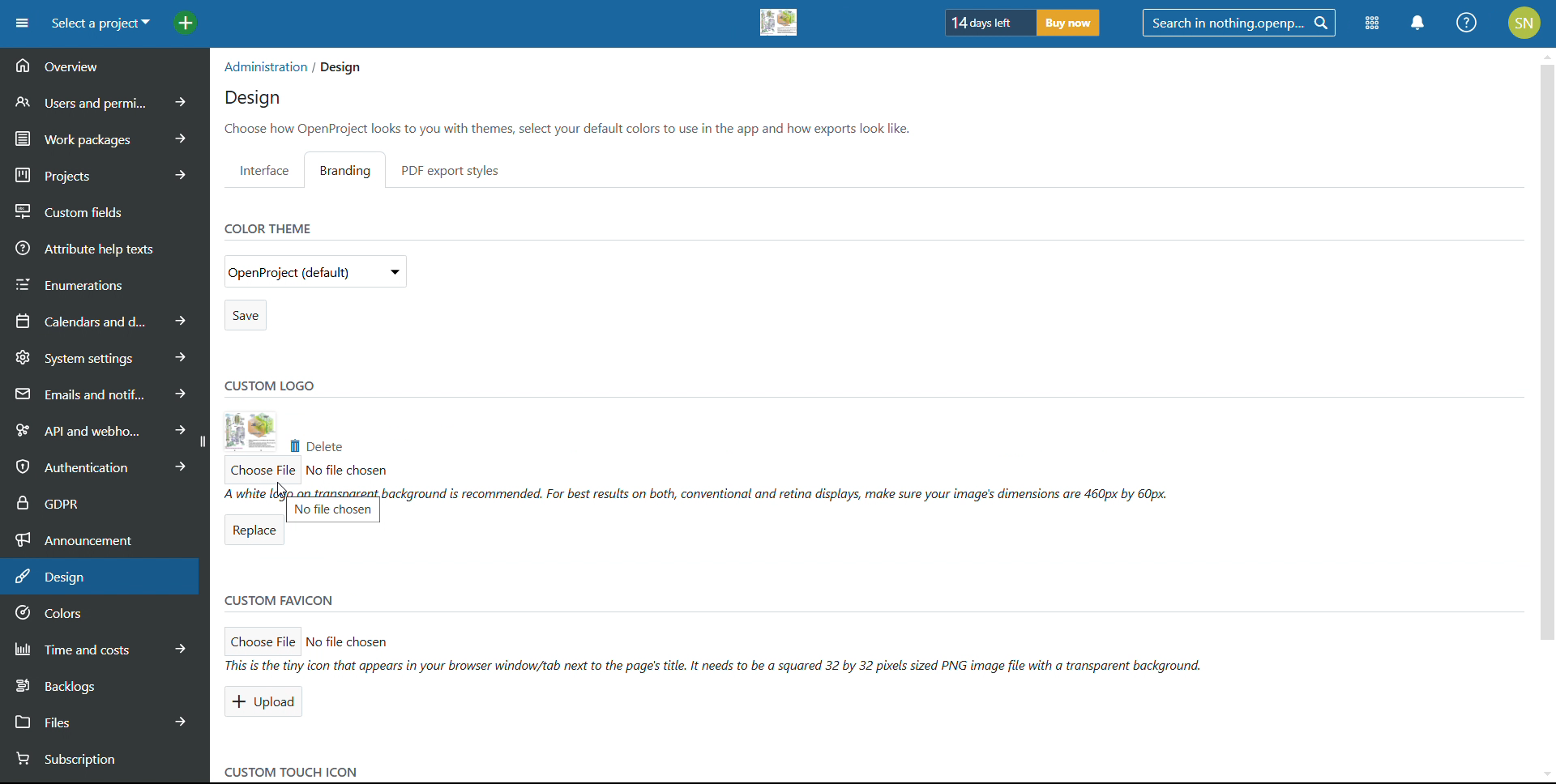 This screenshot has width=1556, height=784. Describe the element at coordinates (100, 23) in the screenshot. I see `select a project` at that location.